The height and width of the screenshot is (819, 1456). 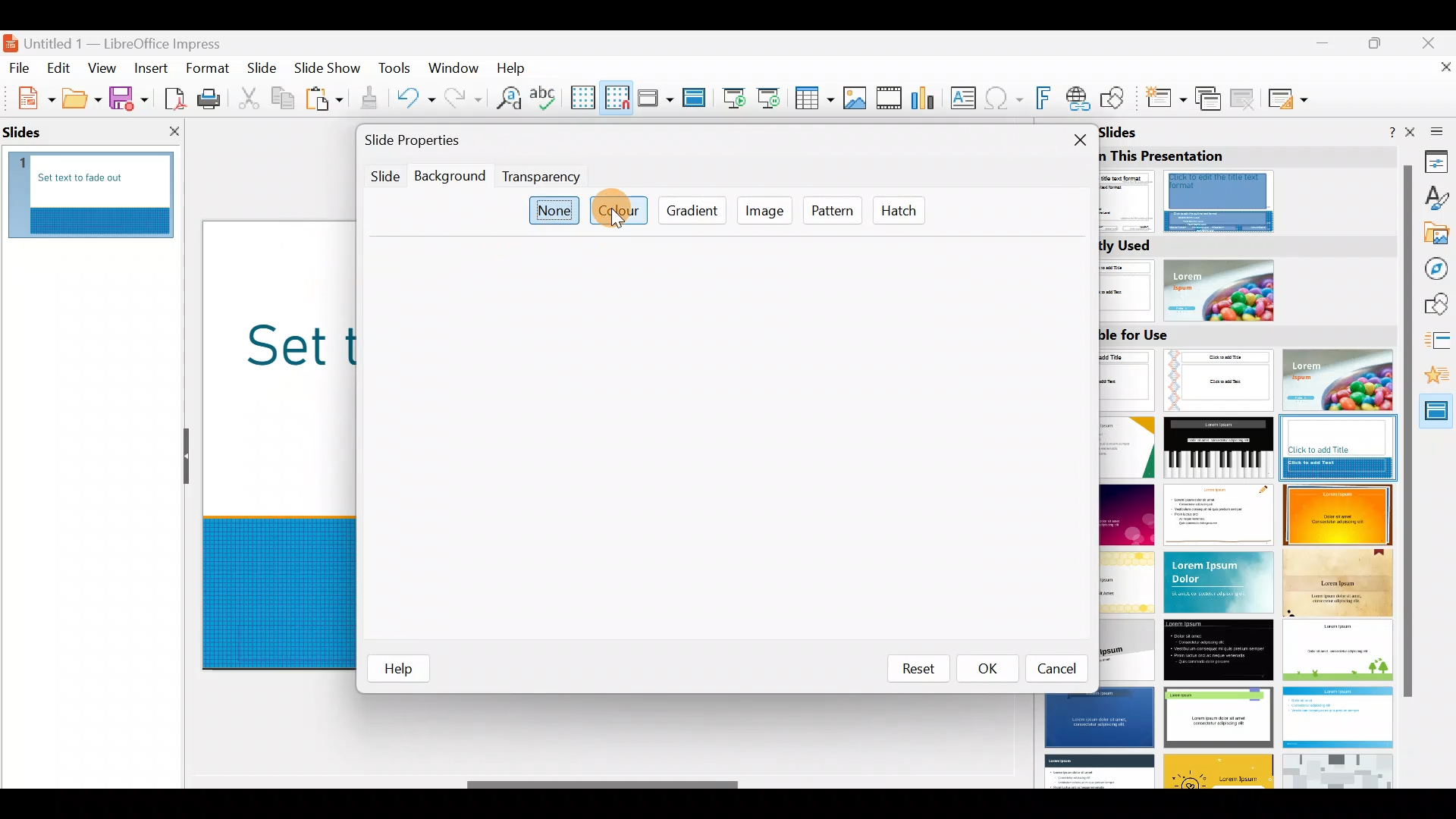 What do you see at coordinates (966, 99) in the screenshot?
I see `Insert text box` at bounding box center [966, 99].